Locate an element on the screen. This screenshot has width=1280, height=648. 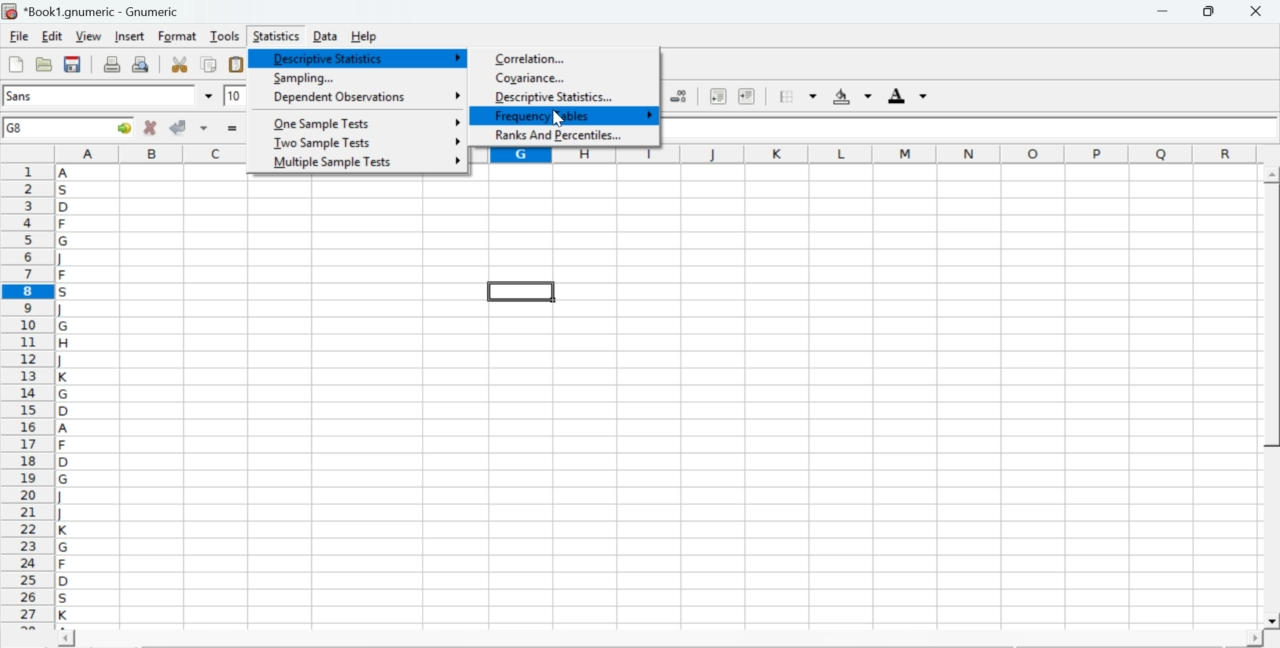
scroll bar is located at coordinates (660, 640).